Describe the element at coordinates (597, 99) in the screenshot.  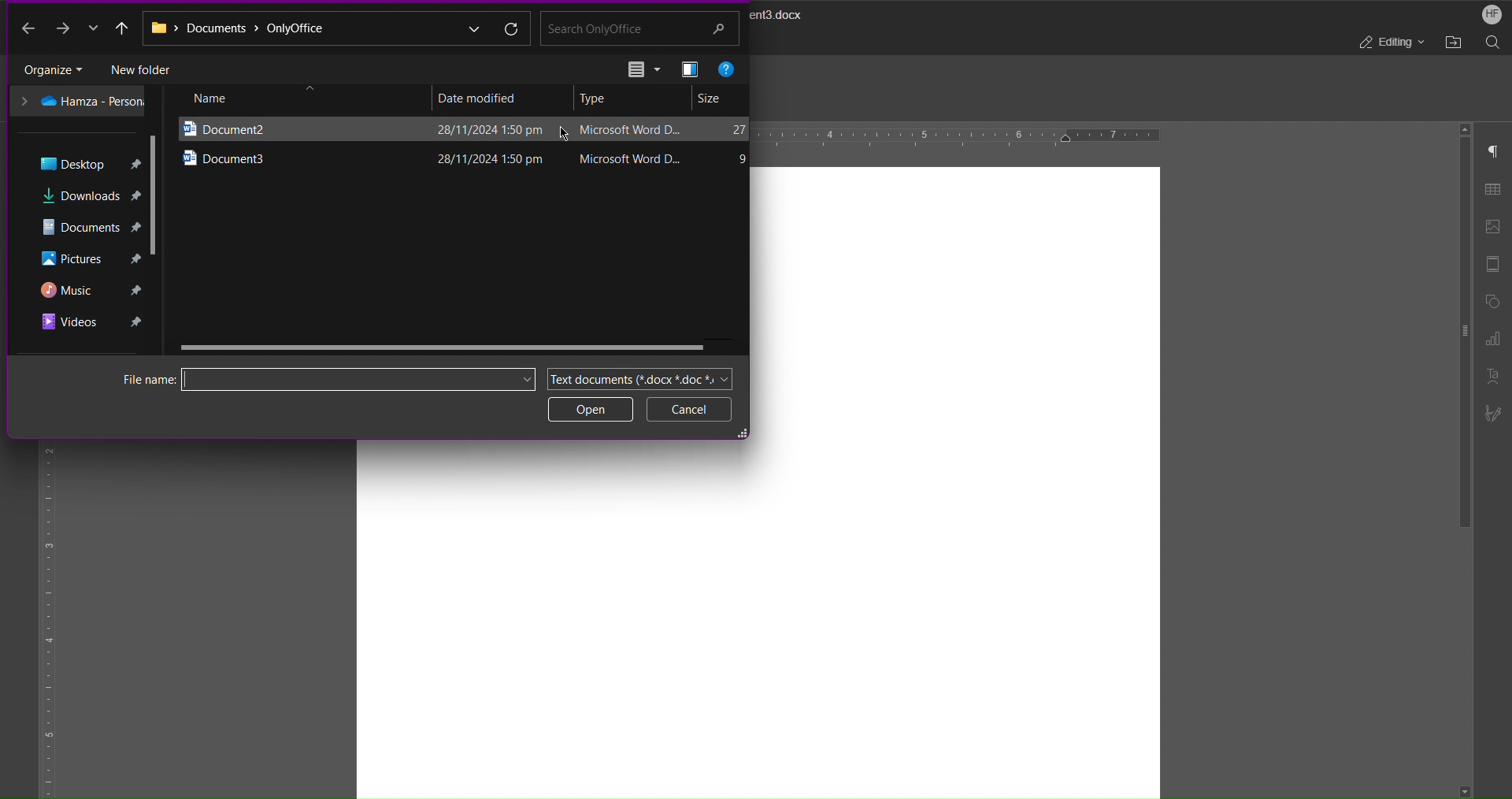
I see `Type` at that location.